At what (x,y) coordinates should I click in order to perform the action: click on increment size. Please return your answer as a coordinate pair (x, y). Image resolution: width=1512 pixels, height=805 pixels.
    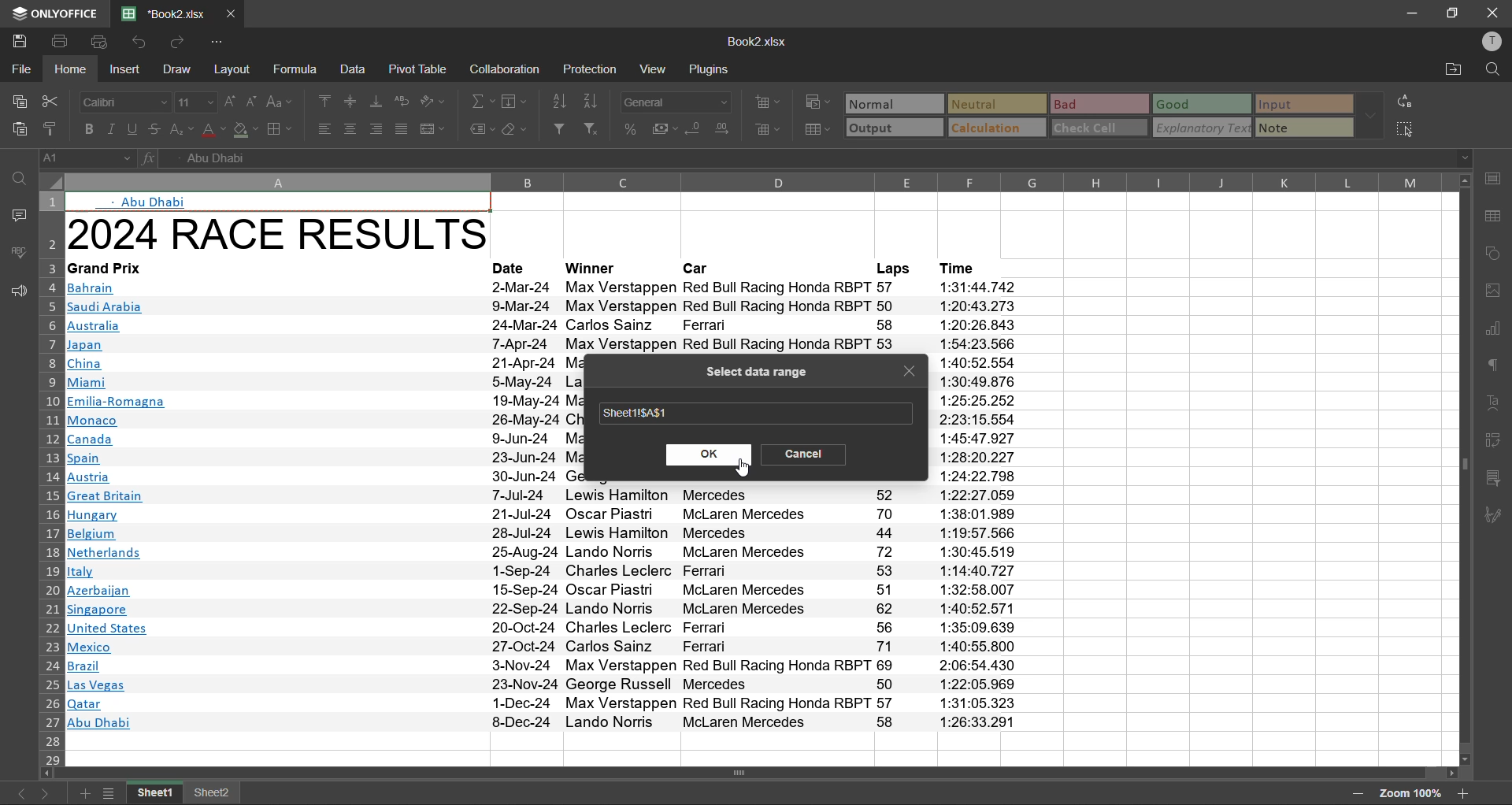
    Looking at the image, I should click on (229, 102).